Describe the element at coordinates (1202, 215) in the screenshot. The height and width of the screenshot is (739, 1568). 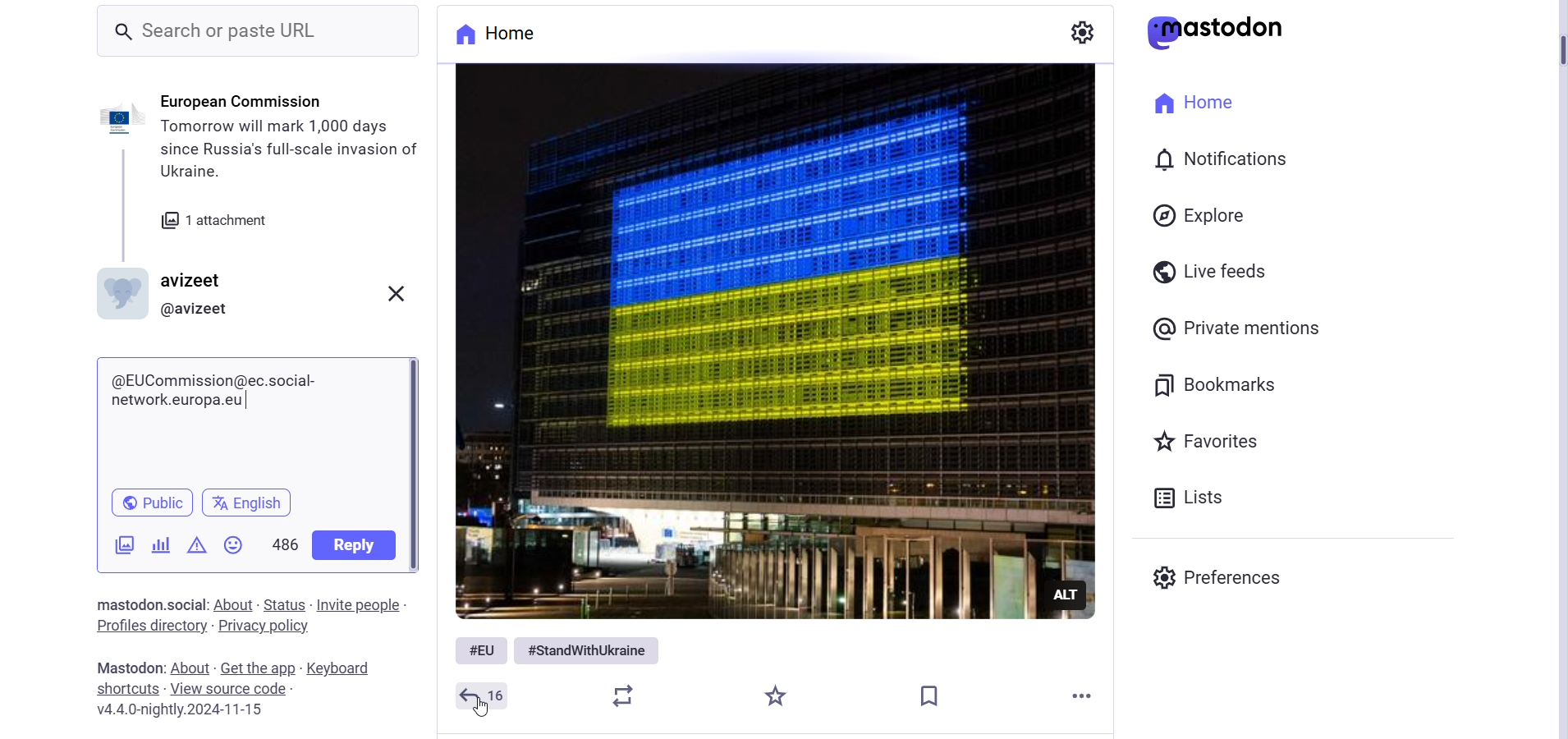
I see `Explore` at that location.